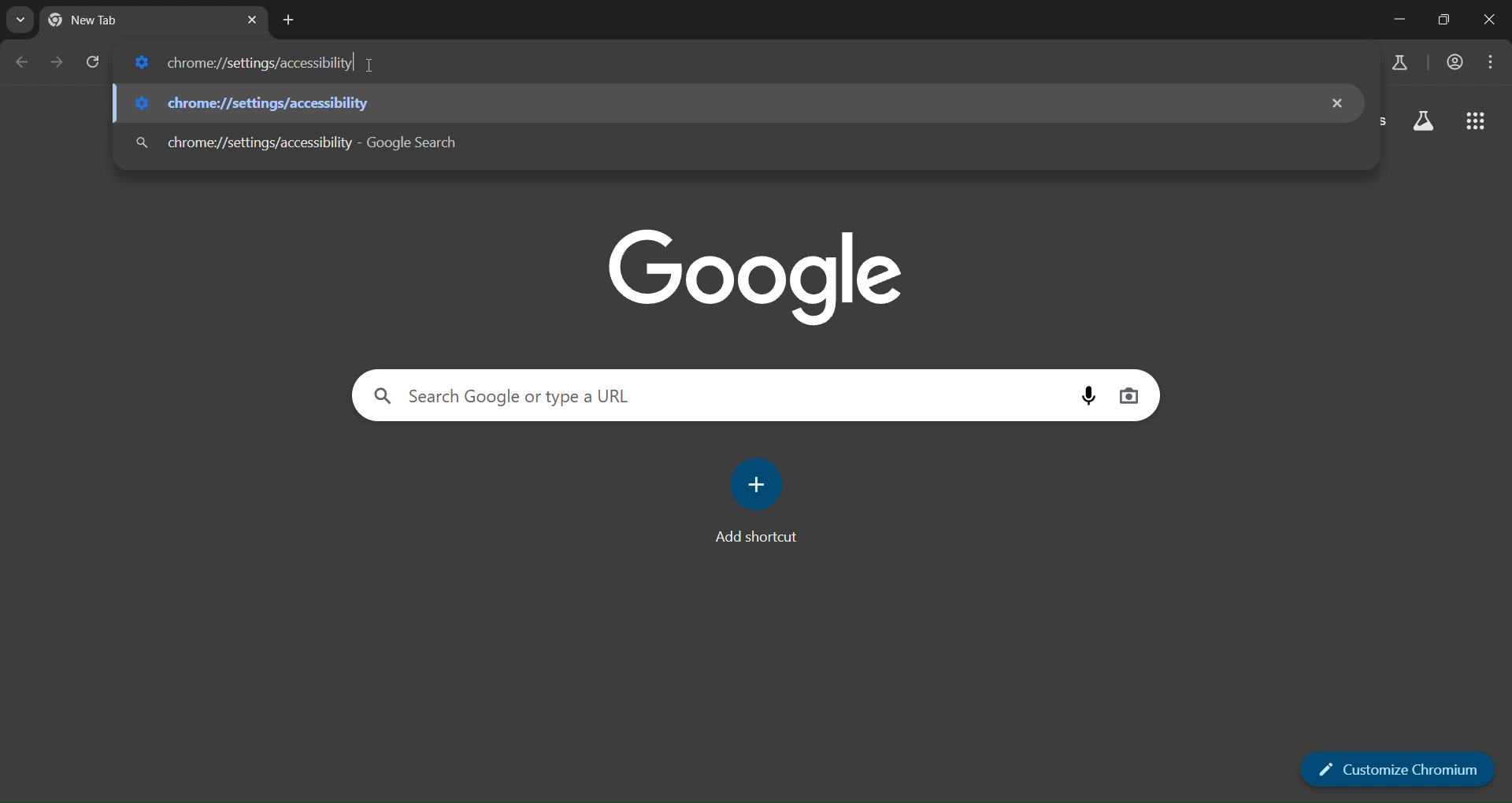 The width and height of the screenshot is (1512, 803). Describe the element at coordinates (1399, 771) in the screenshot. I see `Customize Chromium` at that location.